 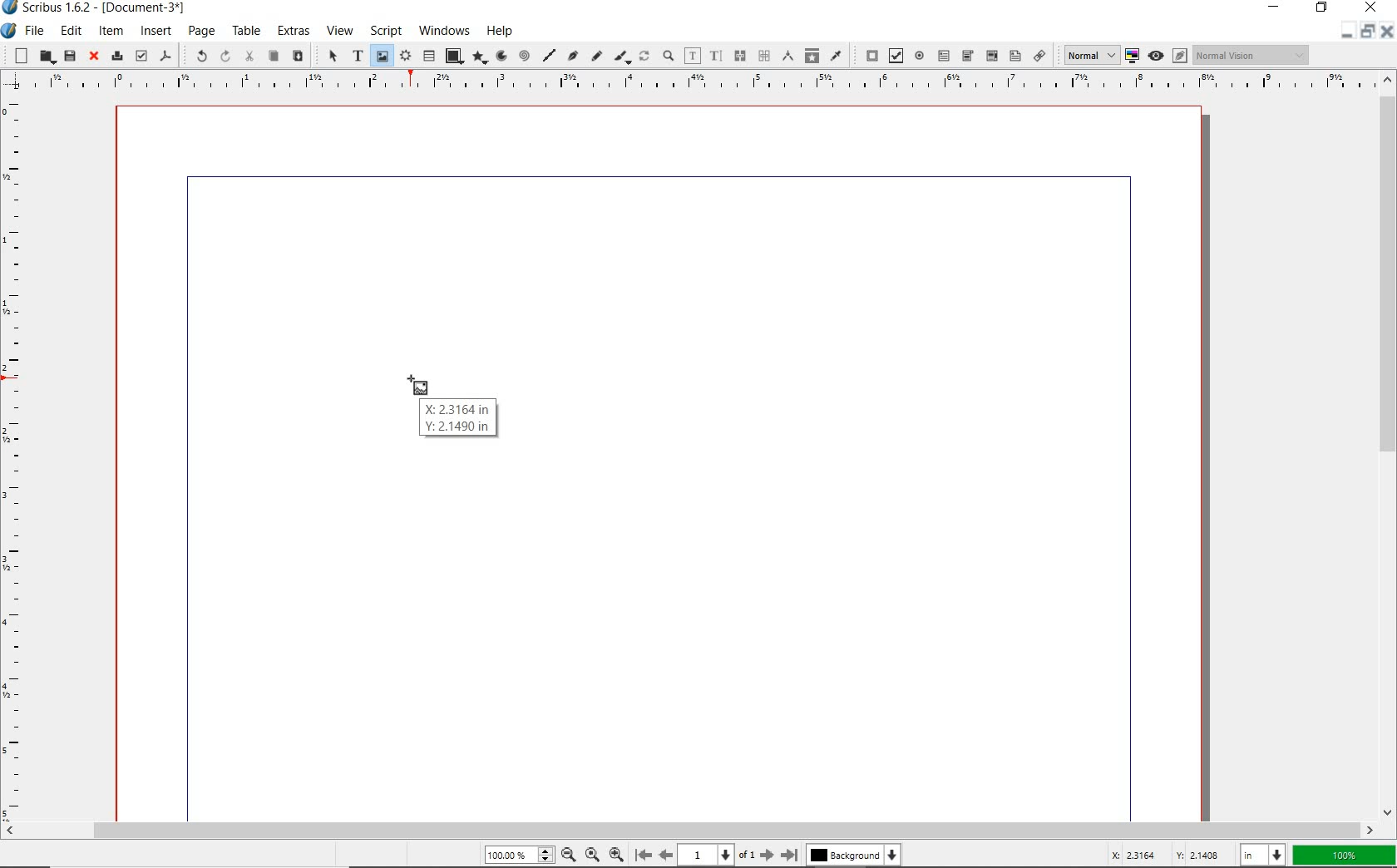 I want to click on toggle color, so click(x=1132, y=54).